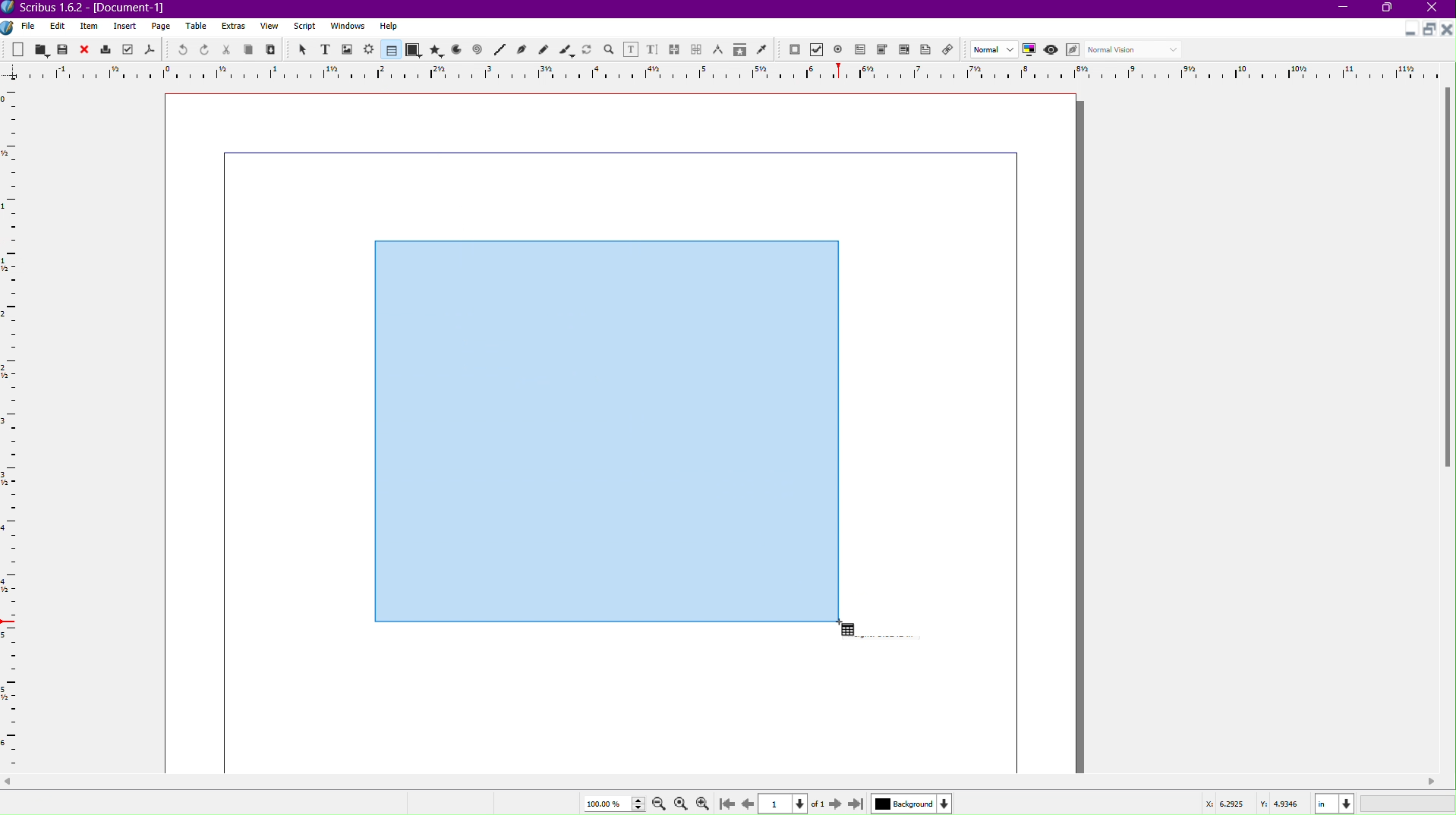  What do you see at coordinates (389, 26) in the screenshot?
I see `Help` at bounding box center [389, 26].